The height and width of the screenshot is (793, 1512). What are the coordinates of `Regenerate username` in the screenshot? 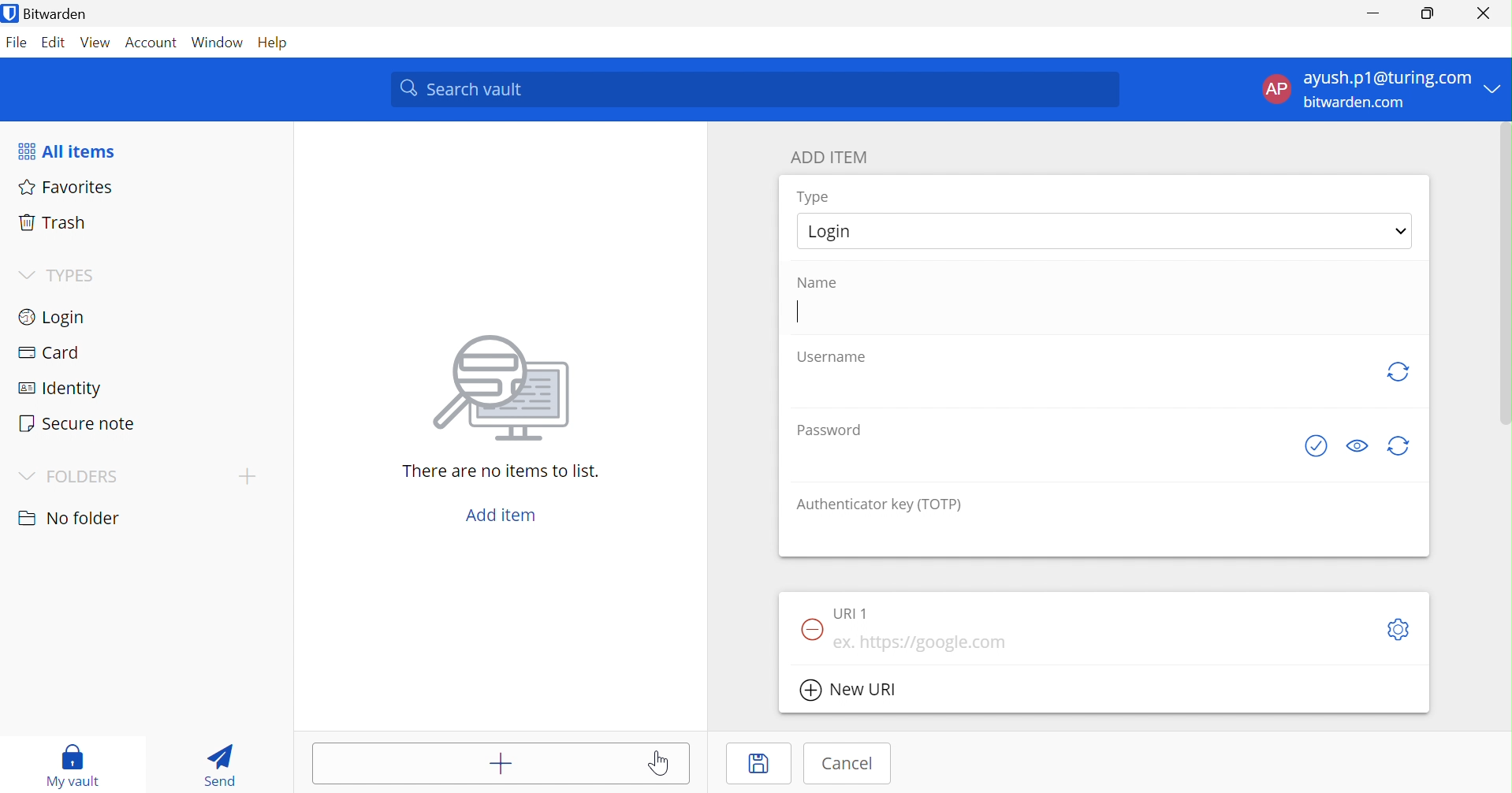 It's located at (1397, 372).